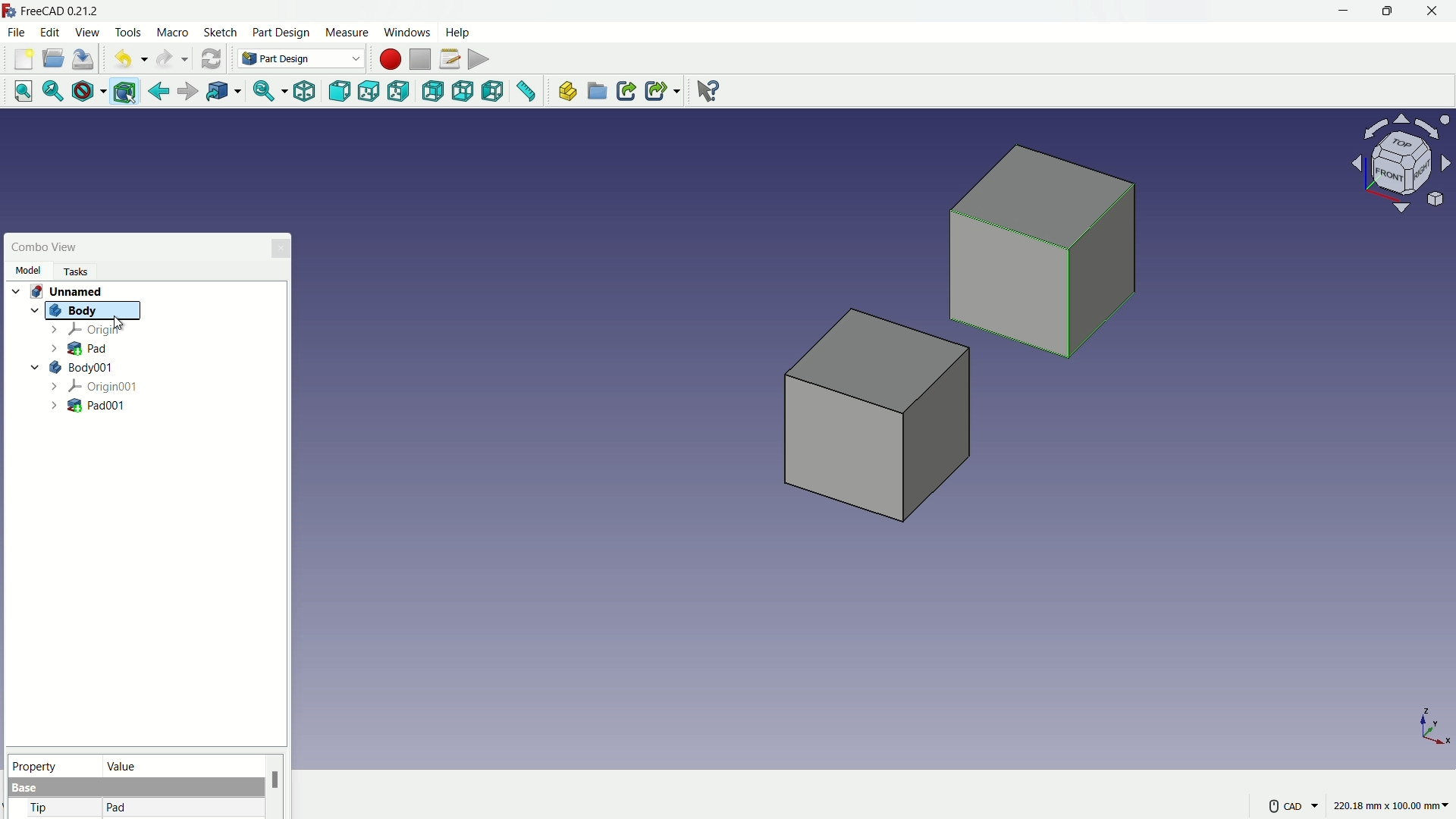 The width and height of the screenshot is (1456, 819). What do you see at coordinates (95, 387) in the screenshot?
I see `origin001` at bounding box center [95, 387].